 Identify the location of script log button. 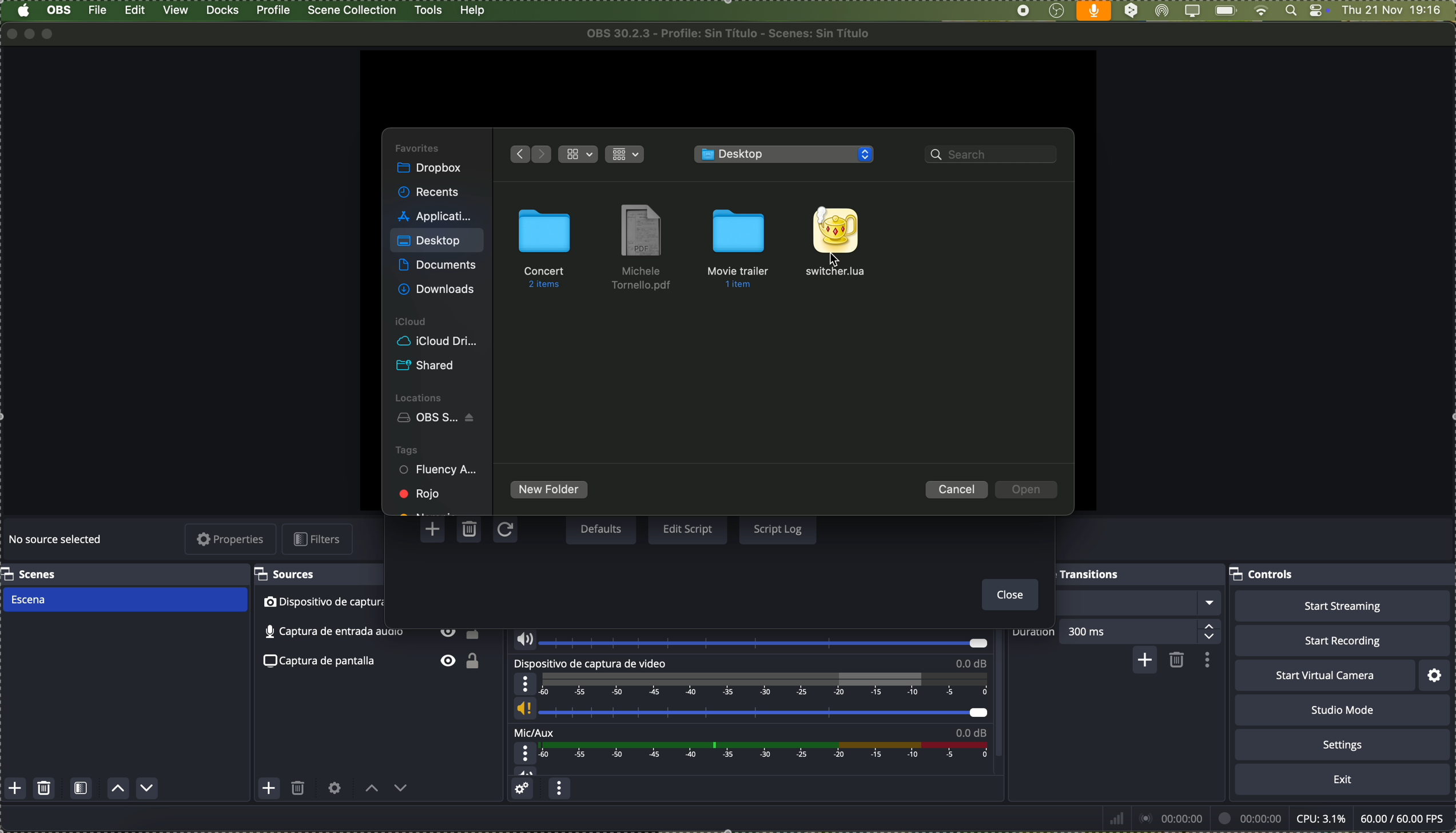
(777, 528).